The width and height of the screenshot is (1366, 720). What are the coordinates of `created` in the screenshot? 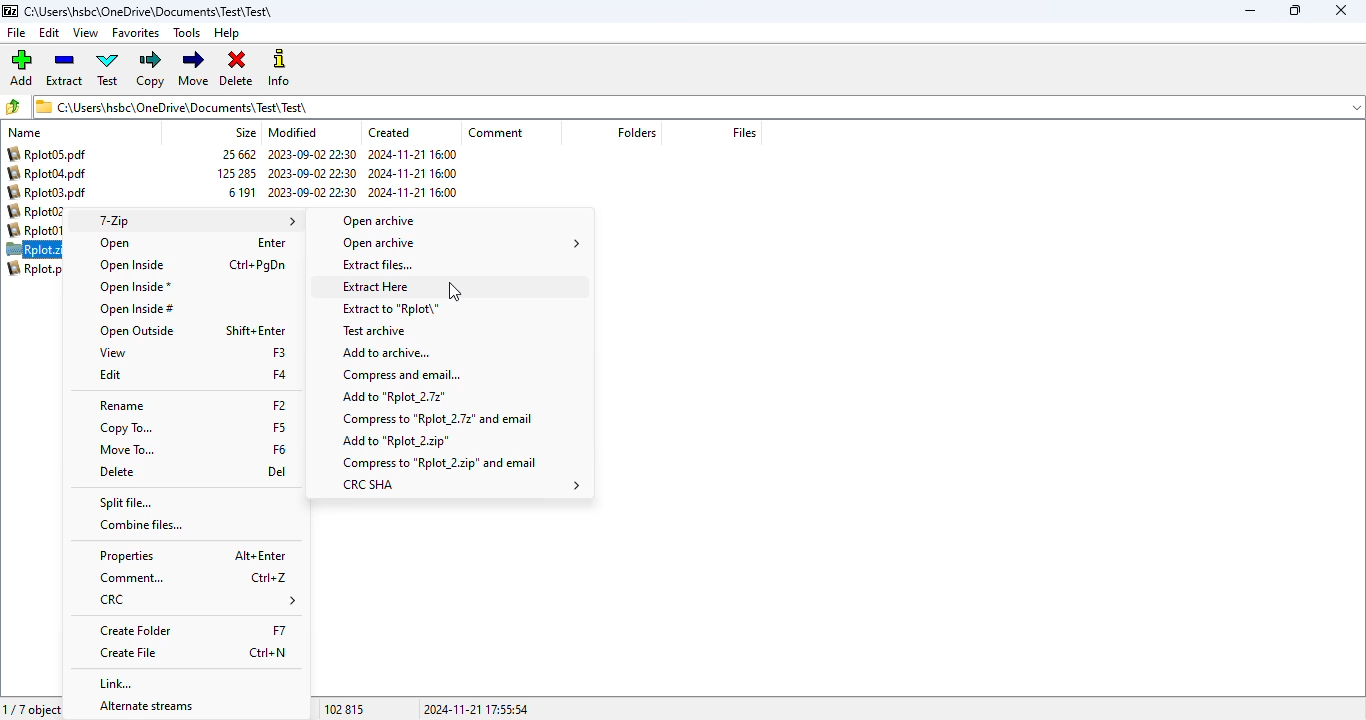 It's located at (389, 132).